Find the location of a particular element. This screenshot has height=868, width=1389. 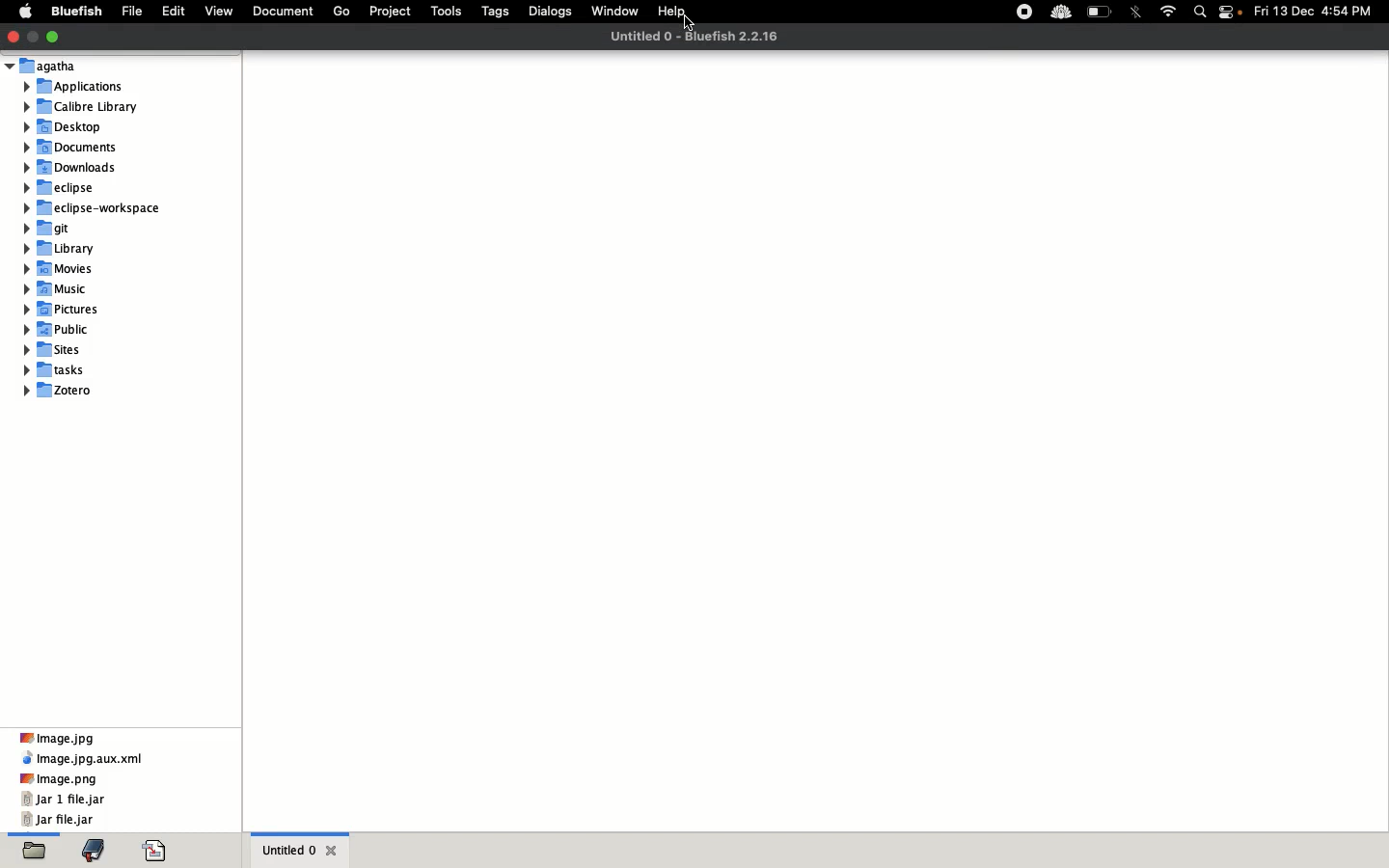

Search is located at coordinates (1201, 11).